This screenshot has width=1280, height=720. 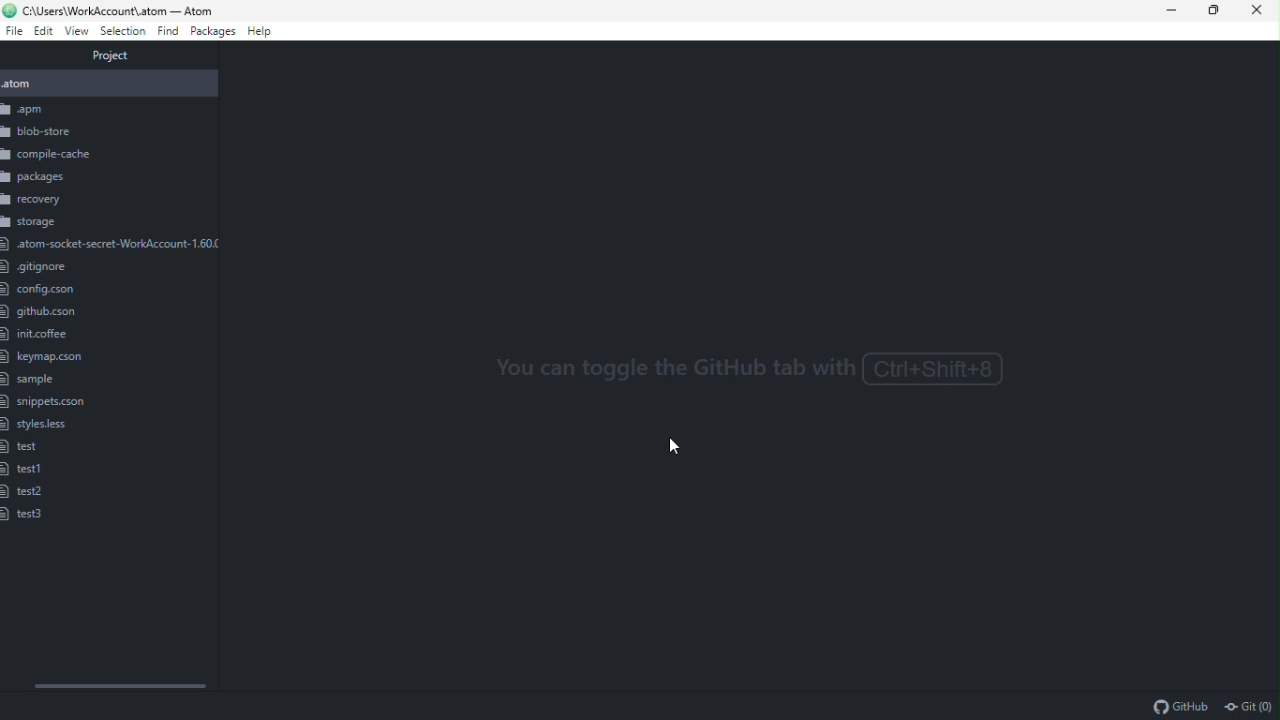 What do you see at coordinates (123, 32) in the screenshot?
I see `Selection` at bounding box center [123, 32].